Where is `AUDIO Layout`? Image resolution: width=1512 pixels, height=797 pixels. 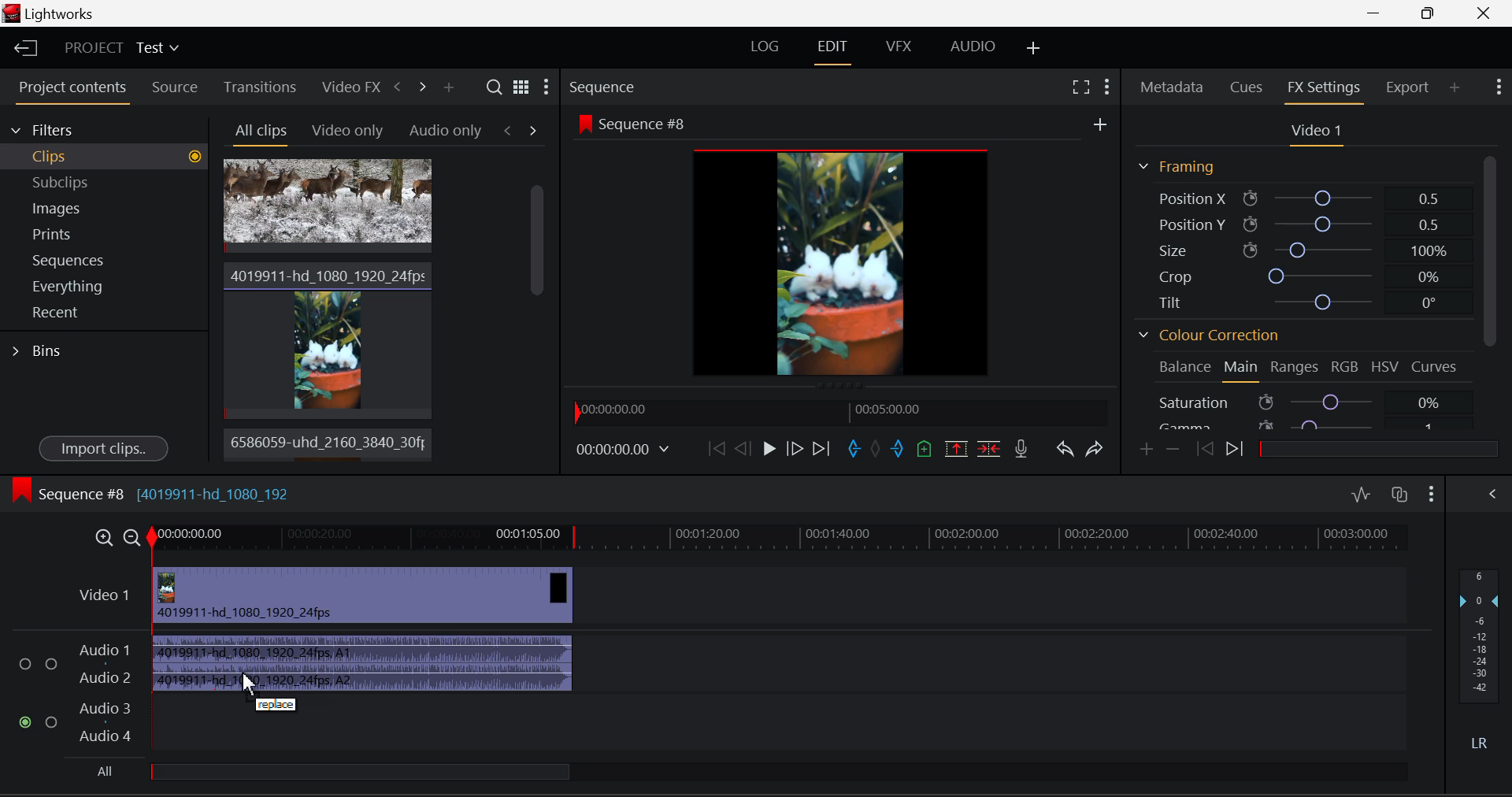 AUDIO Layout is located at coordinates (973, 46).